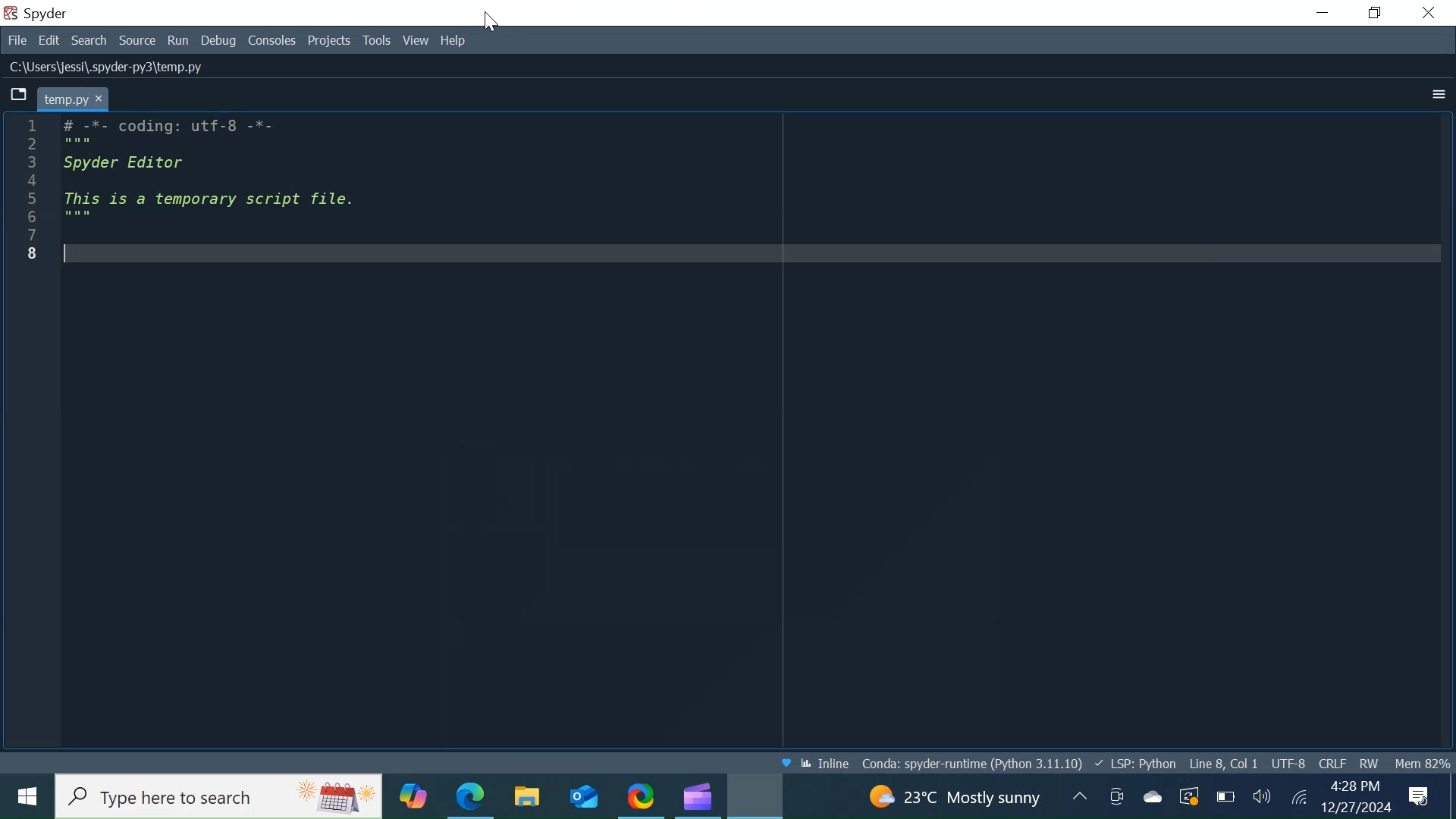  What do you see at coordinates (786, 763) in the screenshot?
I see `Help Spyder` at bounding box center [786, 763].